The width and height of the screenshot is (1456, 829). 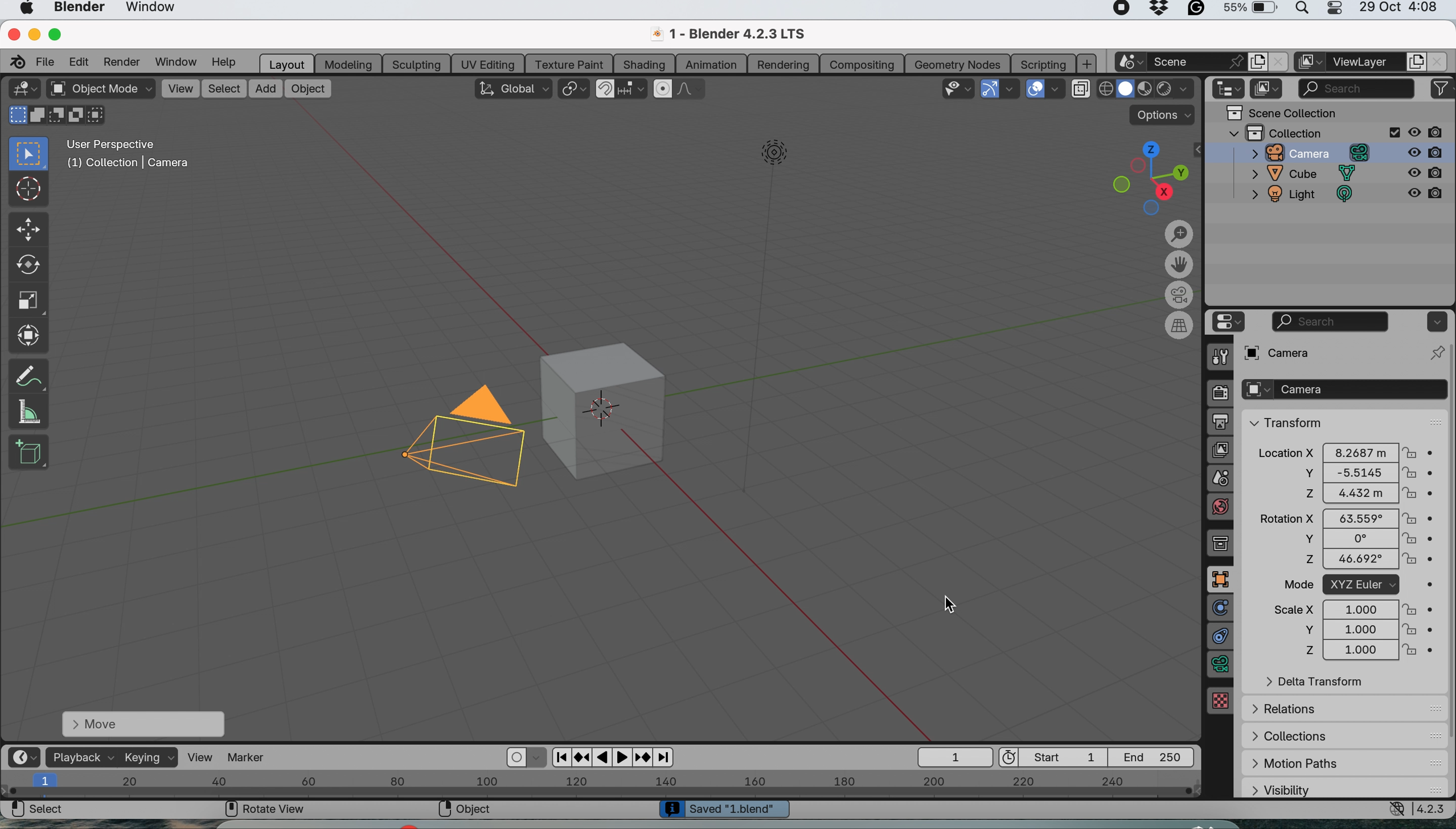 I want to click on screen recorder, so click(x=1117, y=10).